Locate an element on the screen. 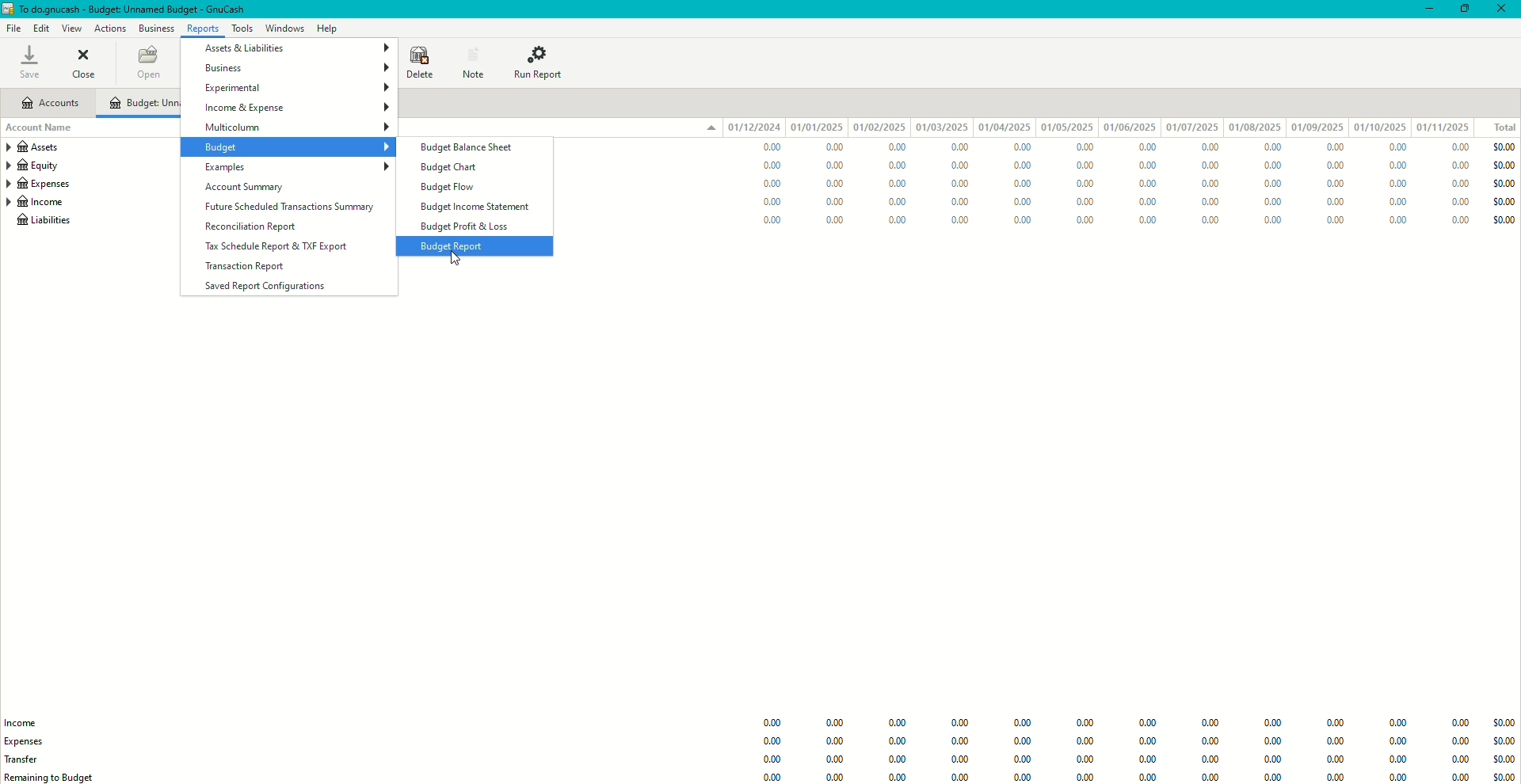 The image size is (1521, 784). 0.00 is located at coordinates (901, 759).